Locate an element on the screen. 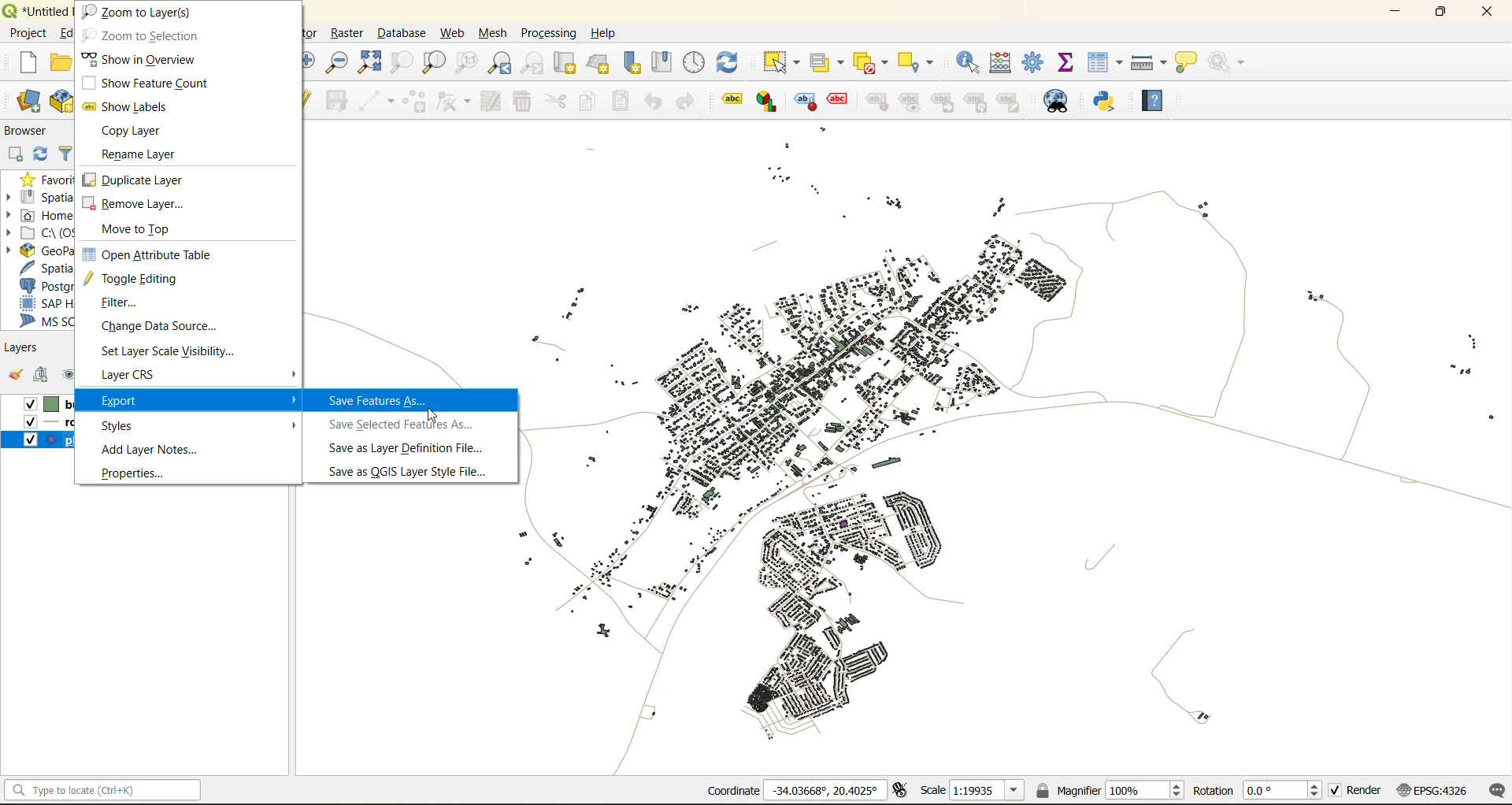 The height and width of the screenshot is (805, 1512). python is located at coordinates (1110, 103).